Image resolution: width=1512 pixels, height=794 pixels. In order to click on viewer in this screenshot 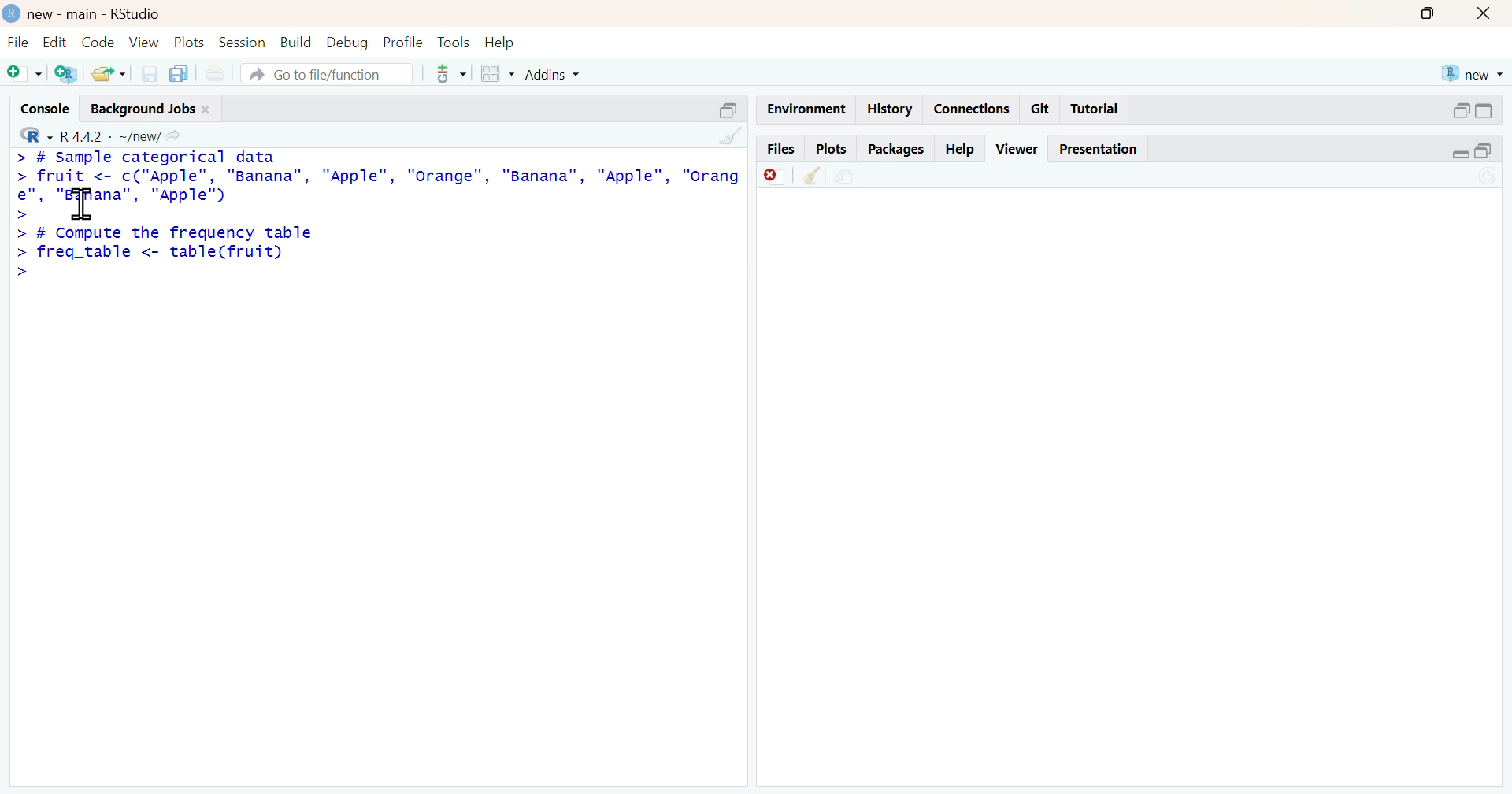, I will do `click(1018, 150)`.